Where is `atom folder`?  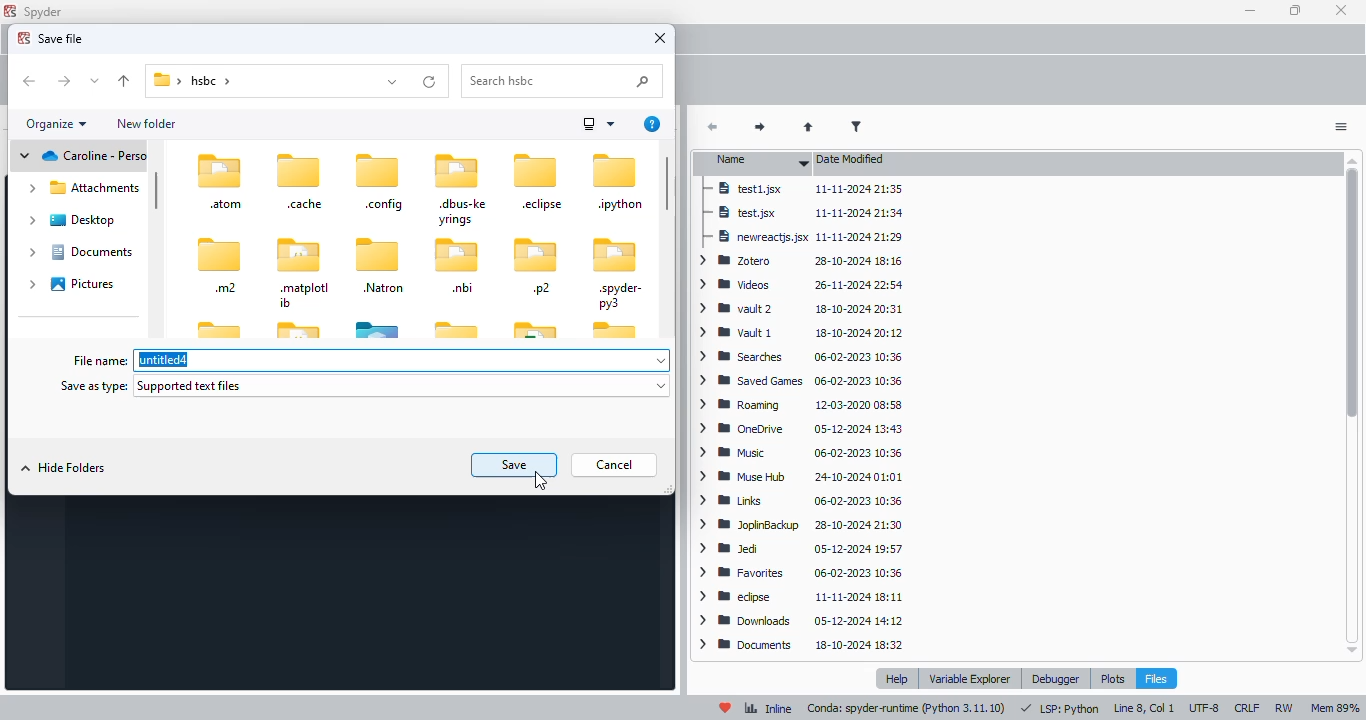 atom folder is located at coordinates (217, 183).